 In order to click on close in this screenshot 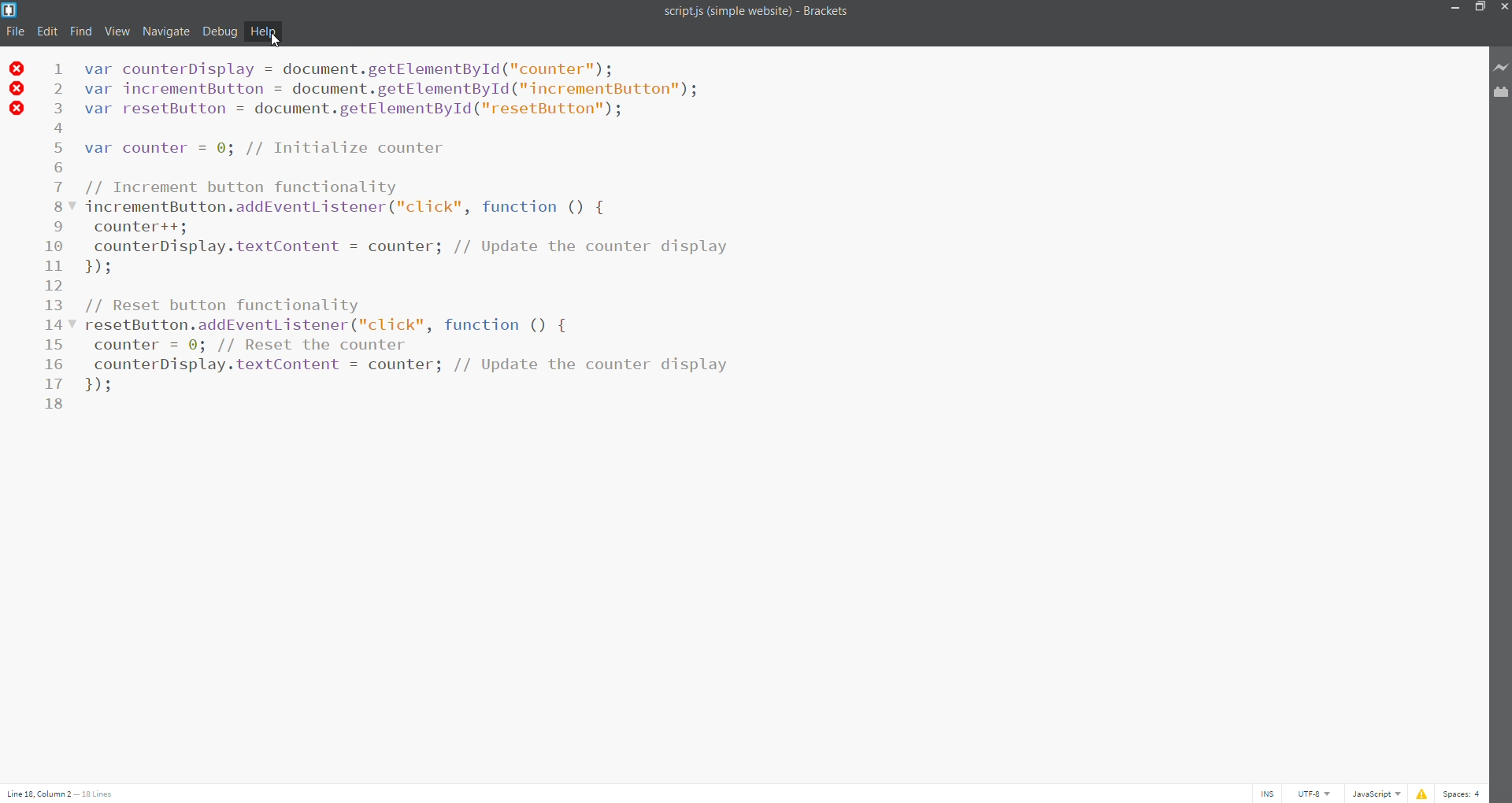, I will do `click(1503, 7)`.